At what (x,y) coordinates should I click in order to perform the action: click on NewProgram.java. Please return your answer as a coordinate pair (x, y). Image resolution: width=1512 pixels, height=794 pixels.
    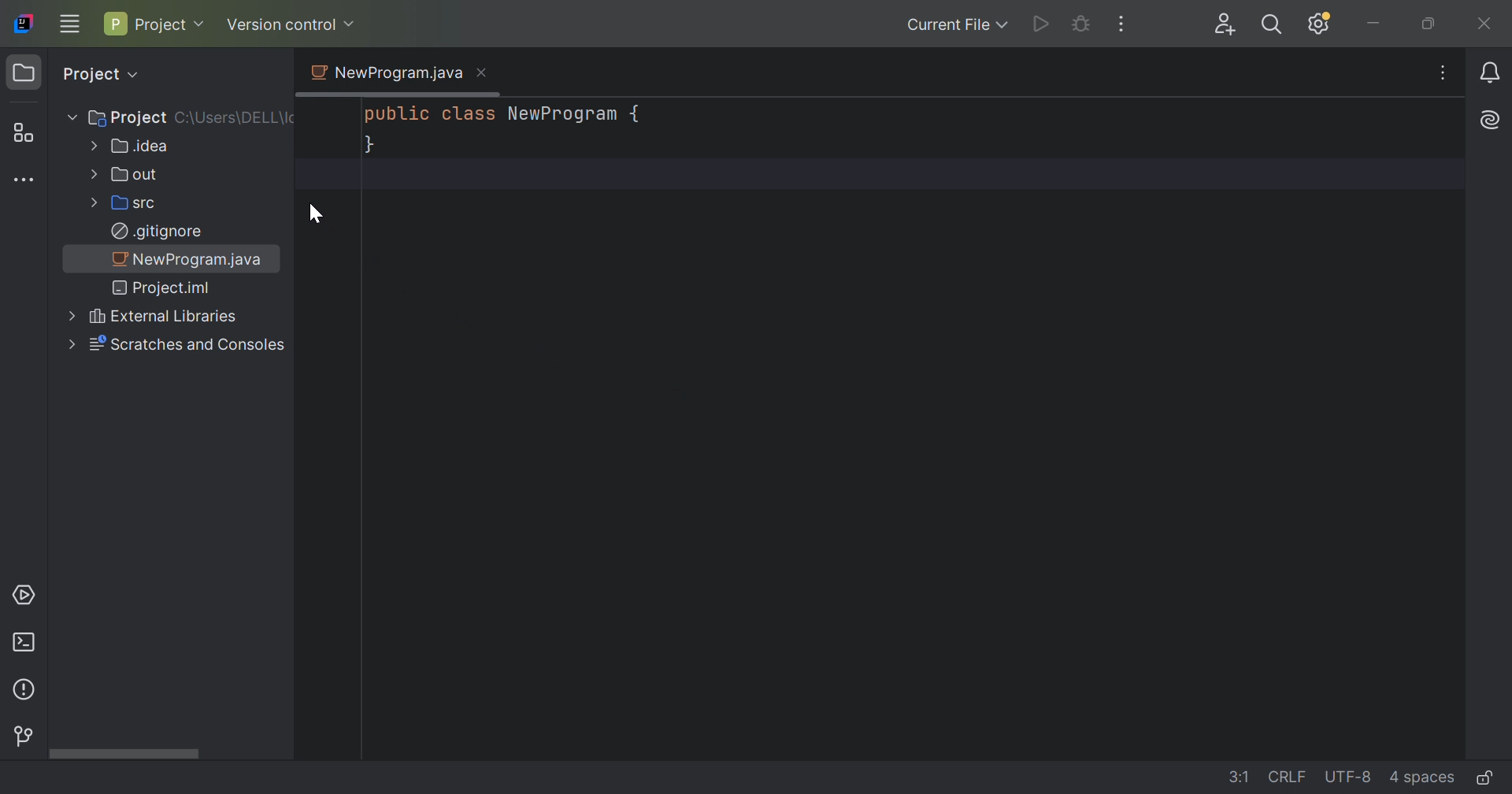
    Looking at the image, I should click on (384, 72).